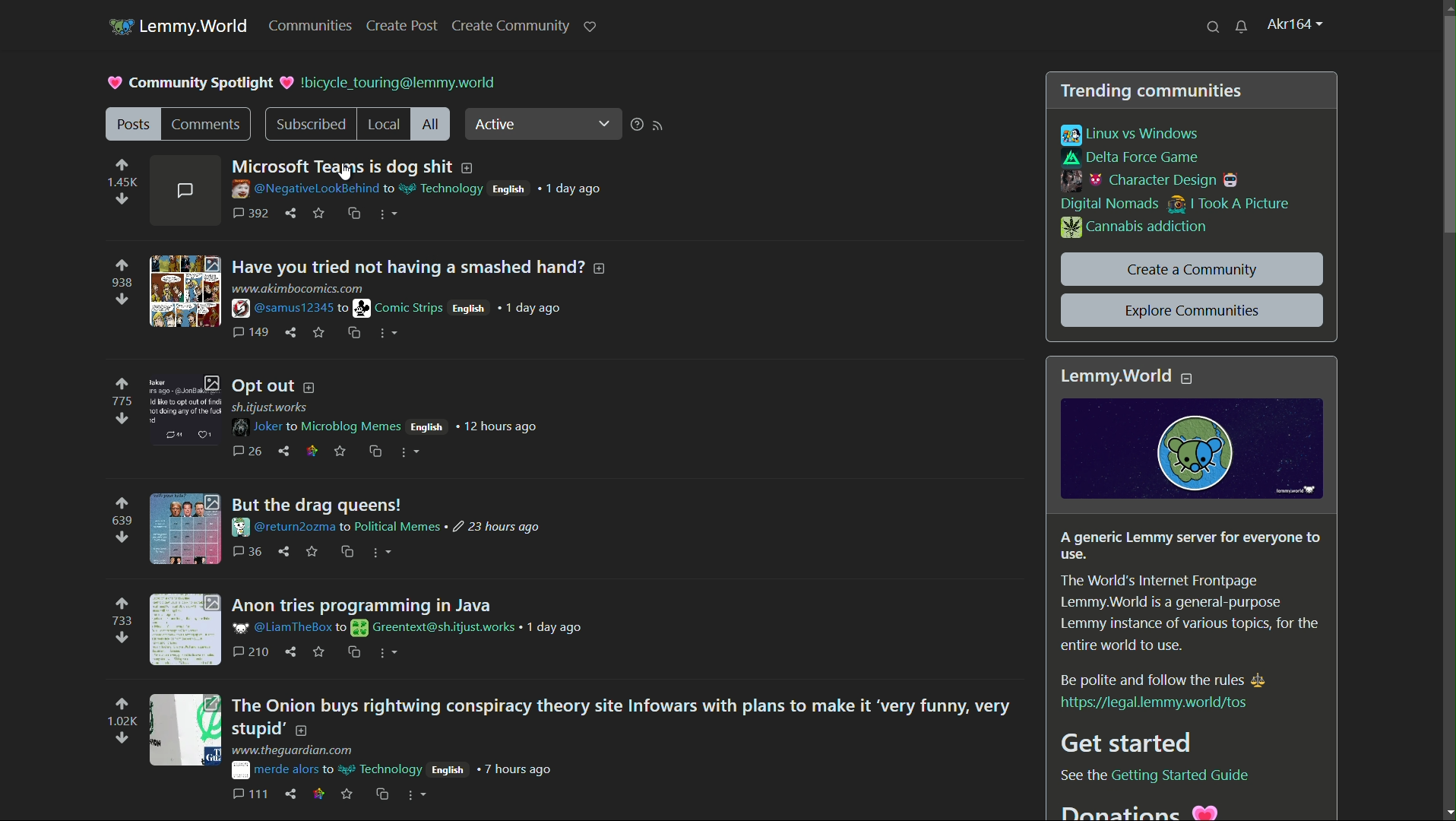  I want to click on image, so click(188, 410).